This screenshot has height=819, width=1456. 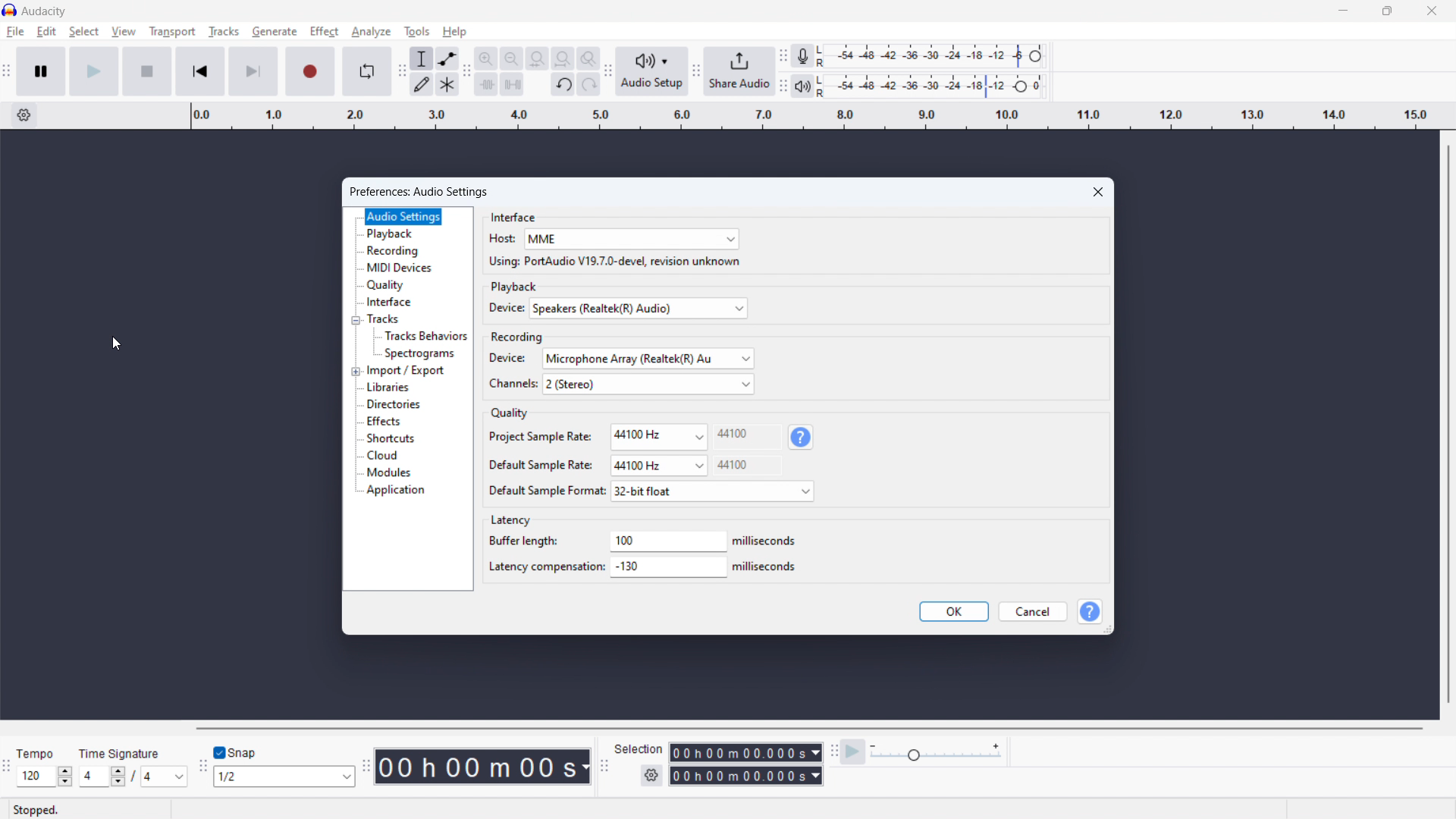 I want to click on transport, so click(x=172, y=32).